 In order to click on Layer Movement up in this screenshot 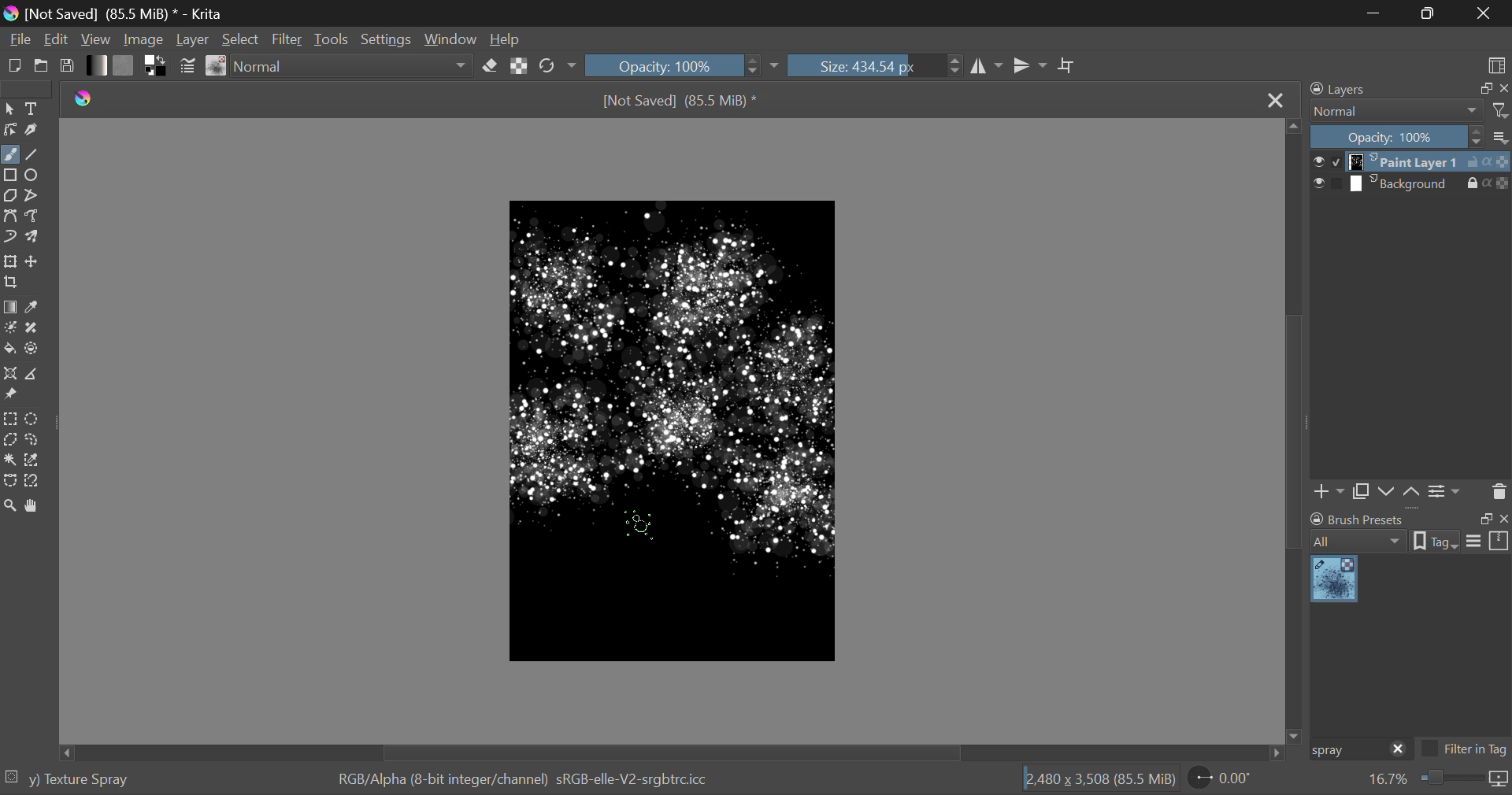, I will do `click(1412, 494)`.